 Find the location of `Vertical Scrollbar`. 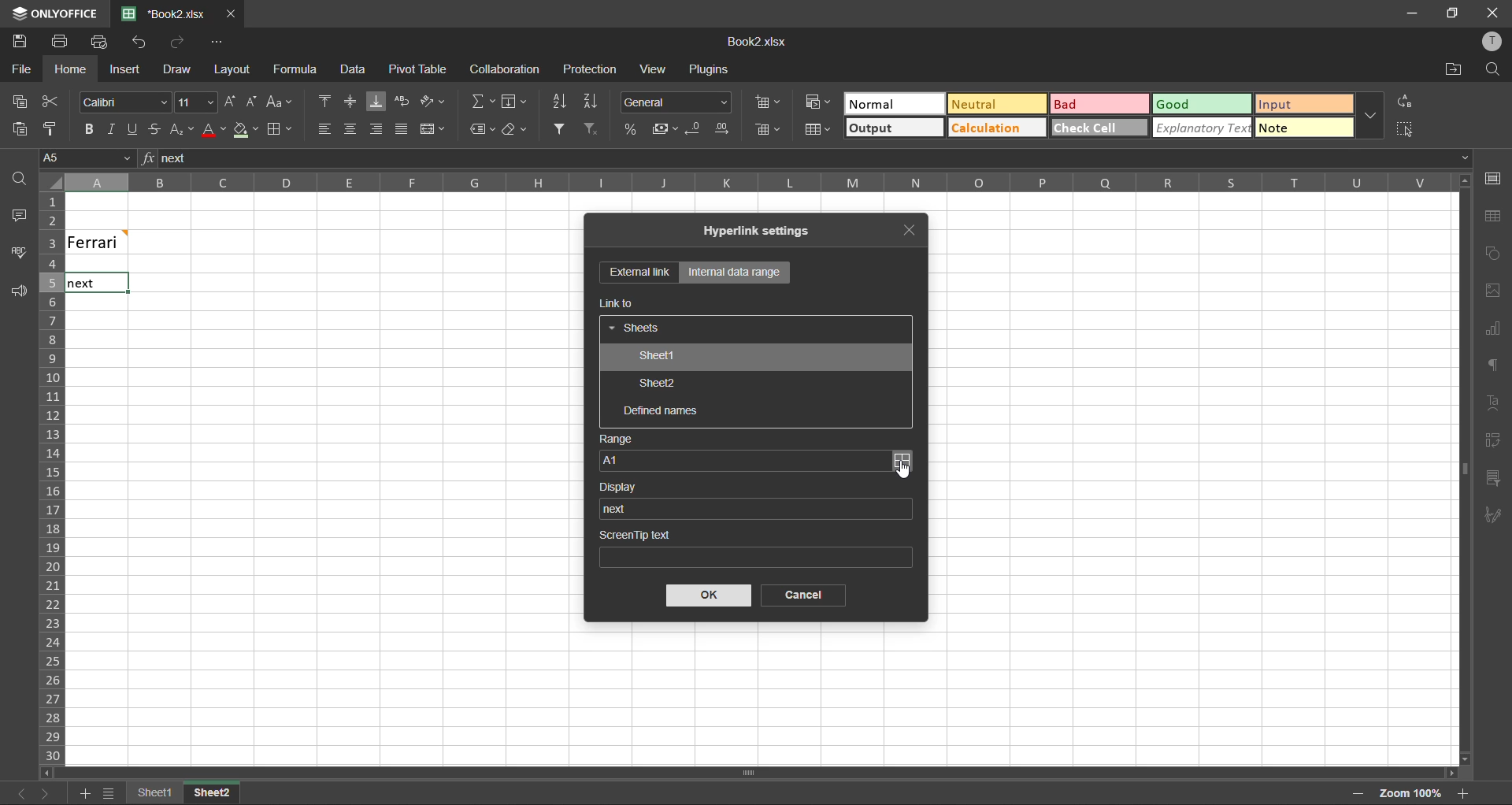

Vertical Scrollbar is located at coordinates (751, 774).